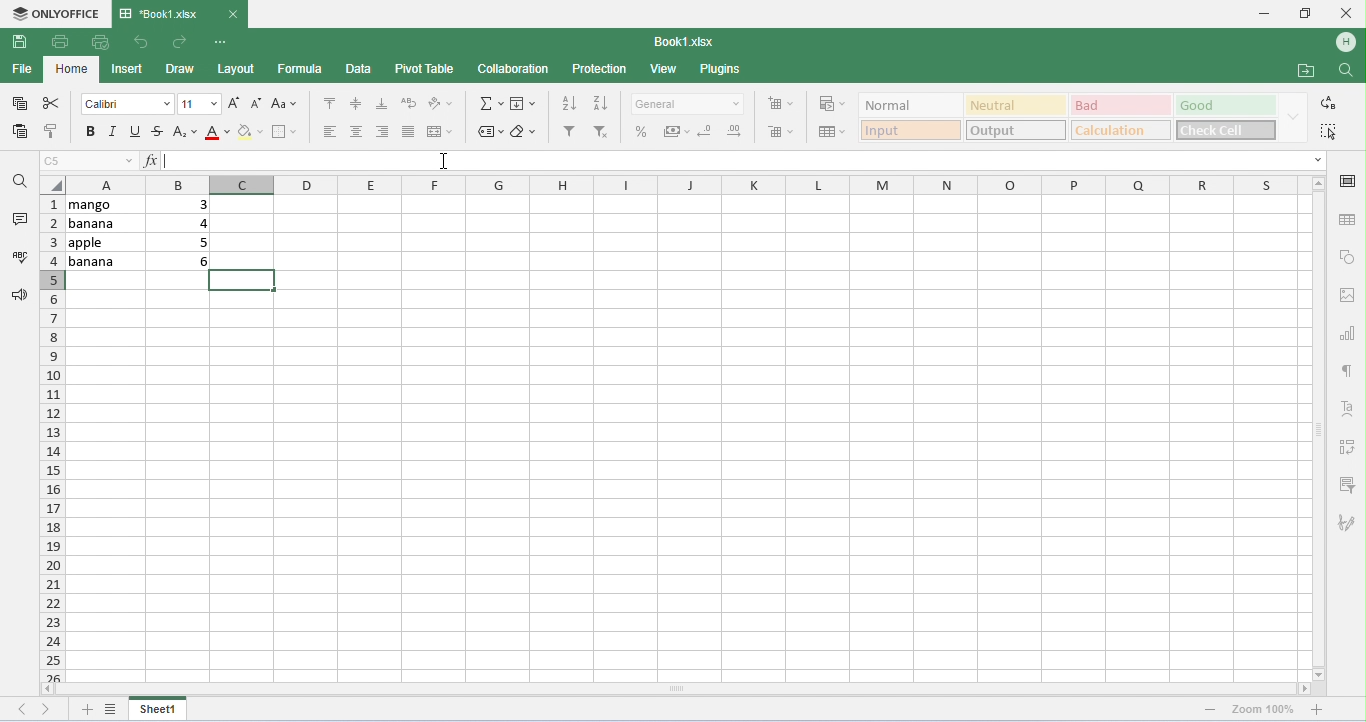 The image size is (1366, 722). I want to click on protection, so click(599, 69).